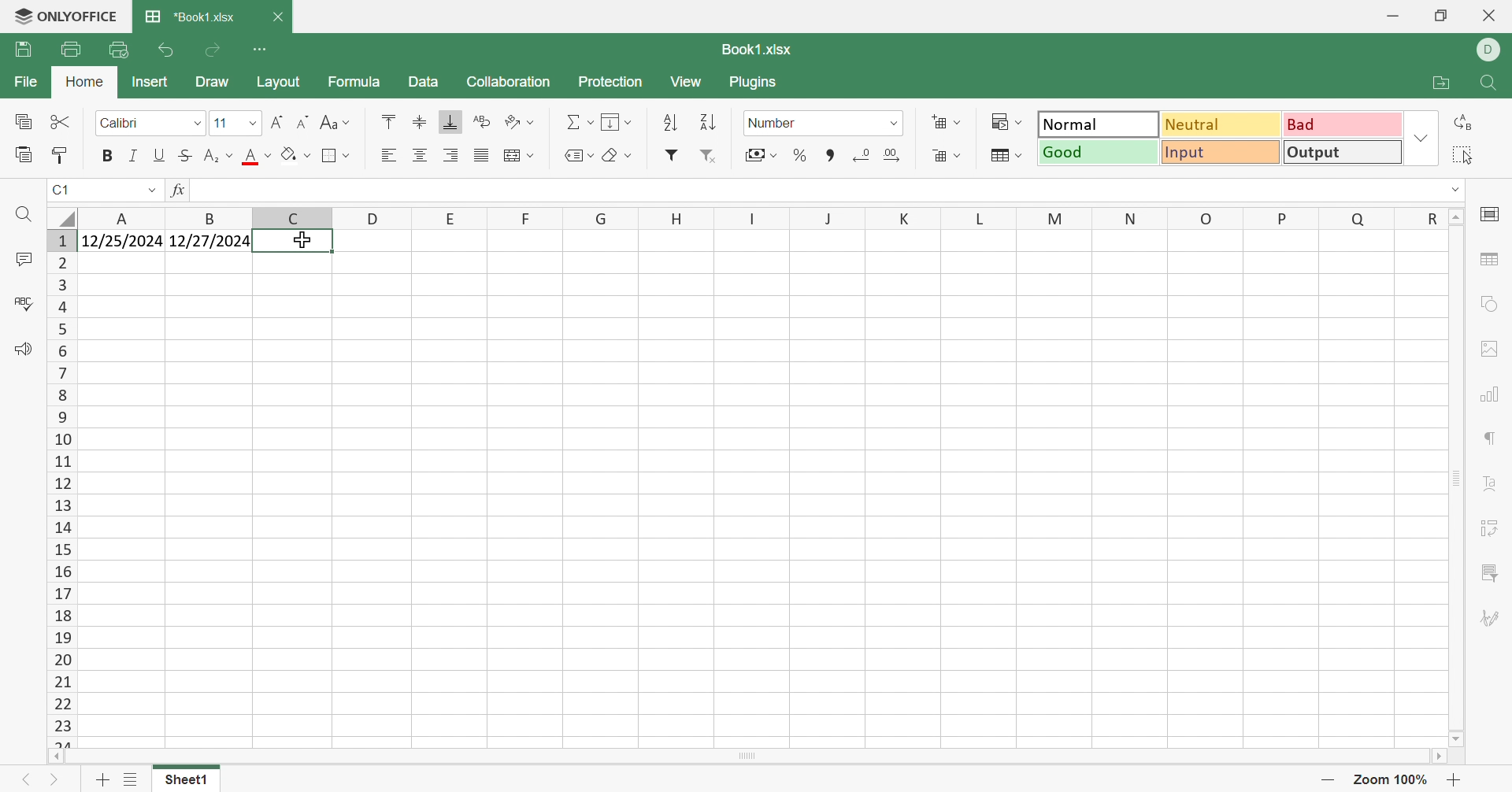  Describe the element at coordinates (1095, 153) in the screenshot. I see `Good` at that location.